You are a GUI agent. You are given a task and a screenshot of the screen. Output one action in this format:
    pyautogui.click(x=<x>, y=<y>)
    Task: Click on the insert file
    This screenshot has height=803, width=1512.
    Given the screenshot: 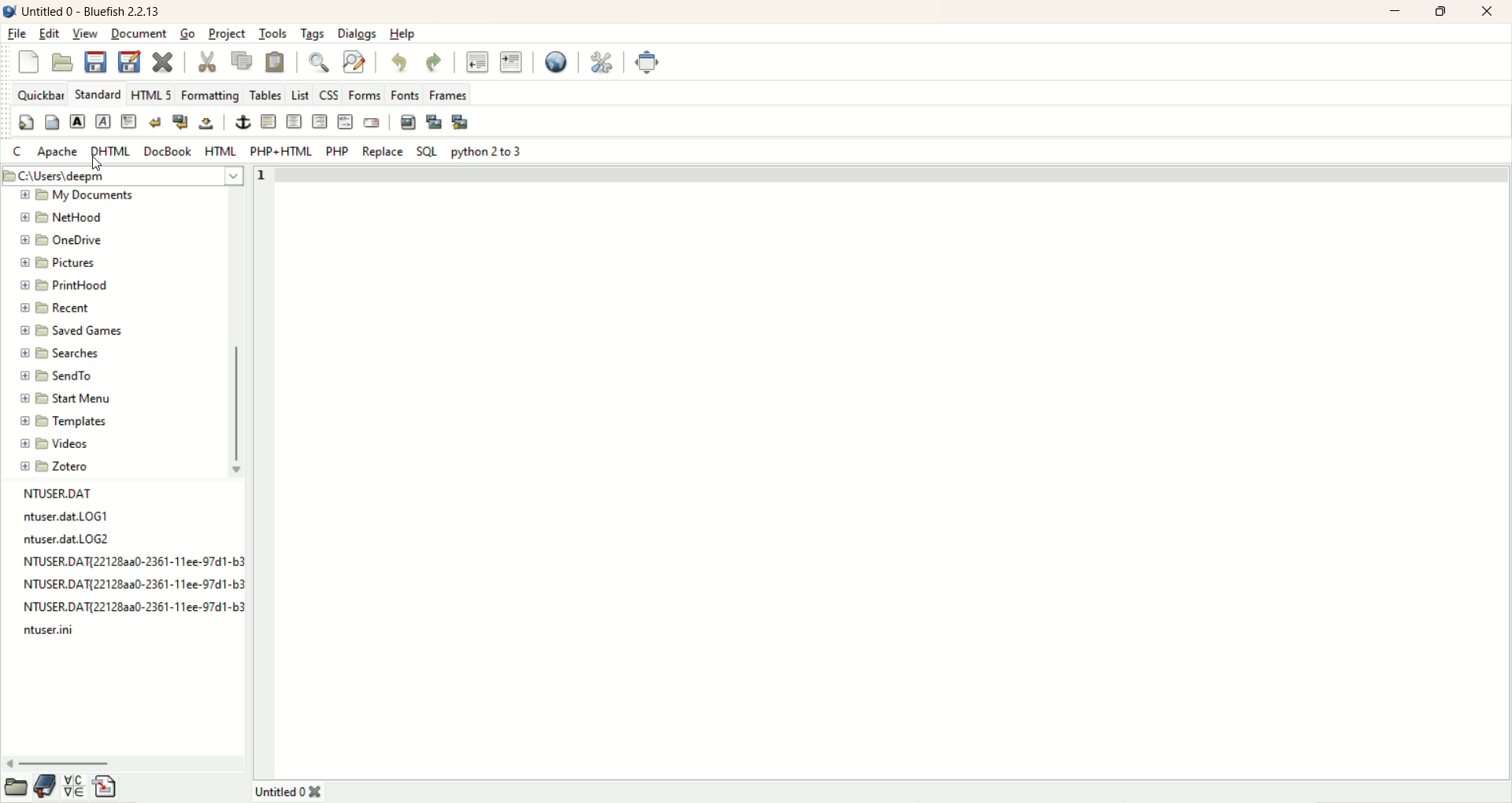 What is the action you would take?
    pyautogui.click(x=107, y=788)
    